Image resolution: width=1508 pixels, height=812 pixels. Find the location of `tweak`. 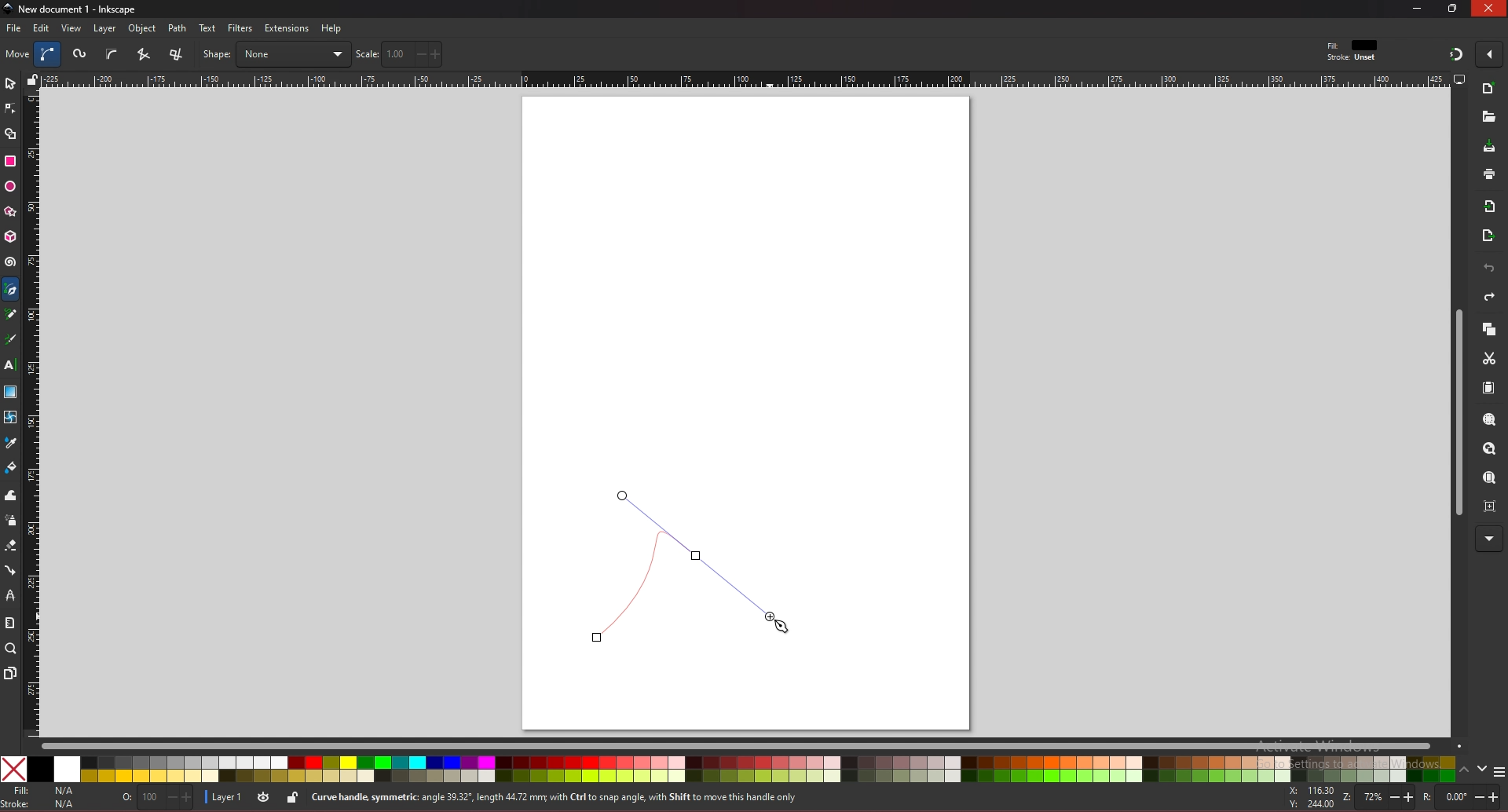

tweak is located at coordinates (11, 495).